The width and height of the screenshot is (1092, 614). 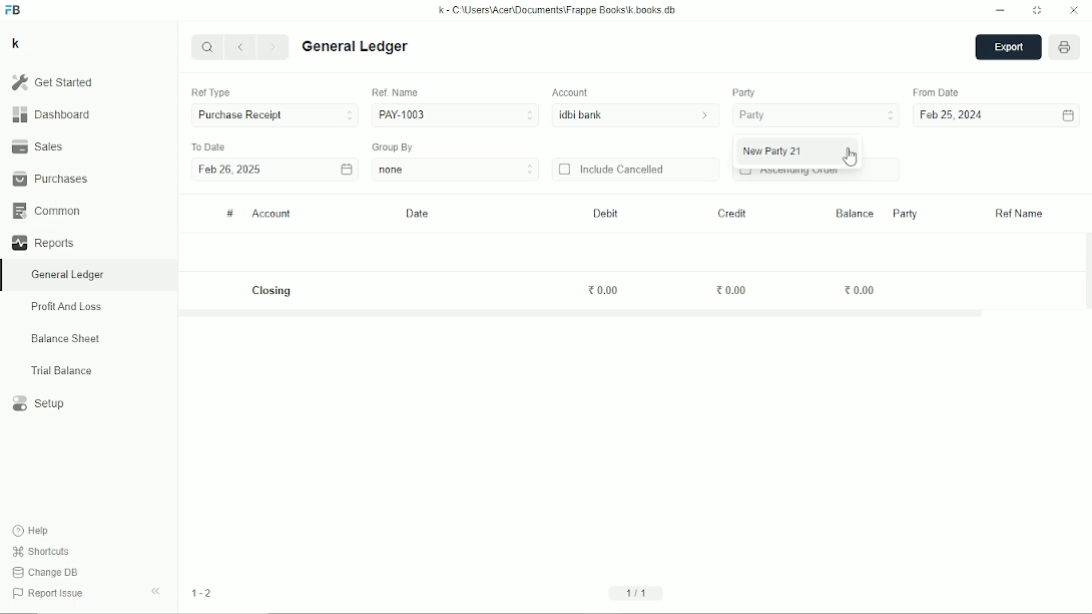 What do you see at coordinates (572, 93) in the screenshot?
I see `Account` at bounding box center [572, 93].